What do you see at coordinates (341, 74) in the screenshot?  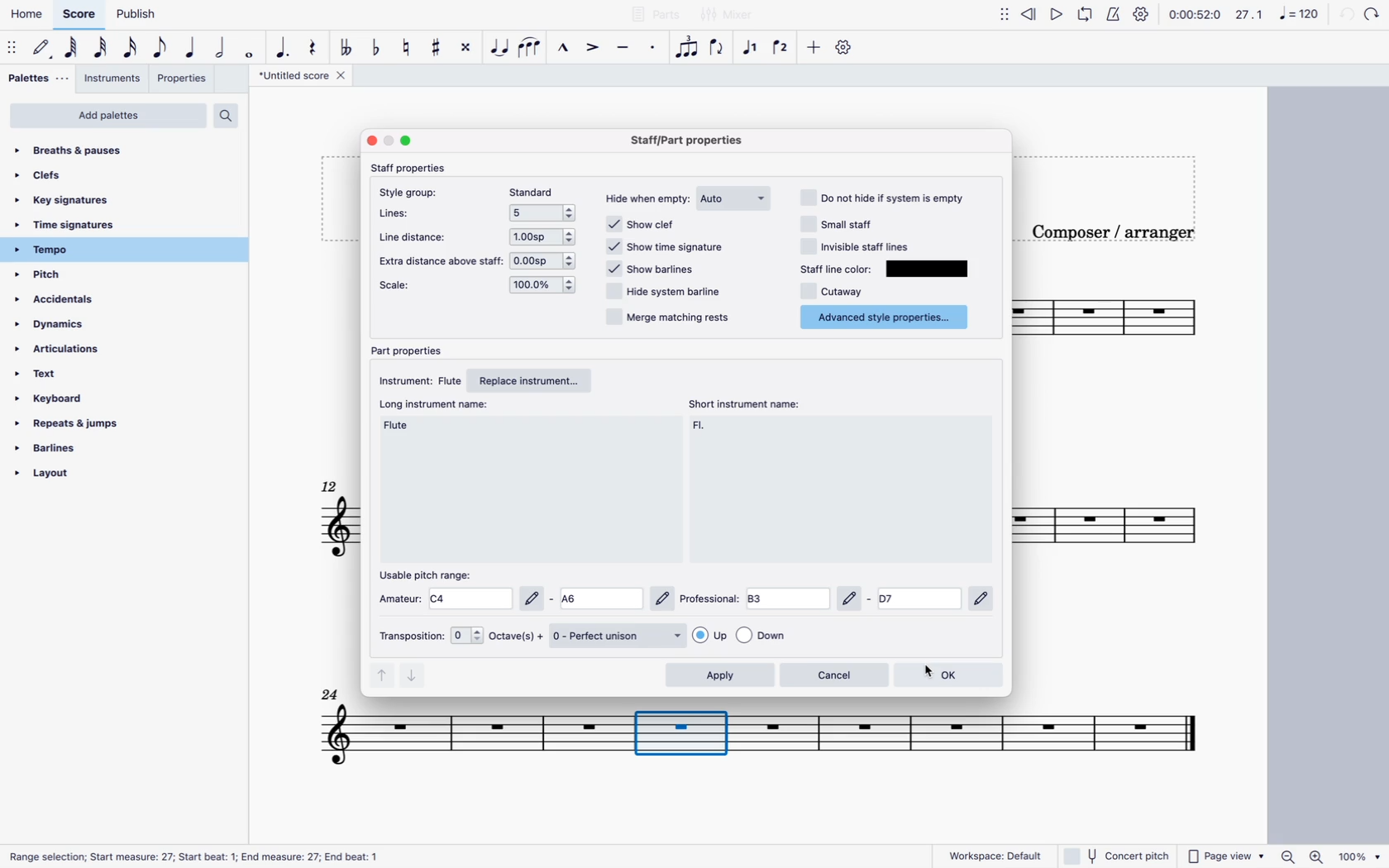 I see `close tab` at bounding box center [341, 74].